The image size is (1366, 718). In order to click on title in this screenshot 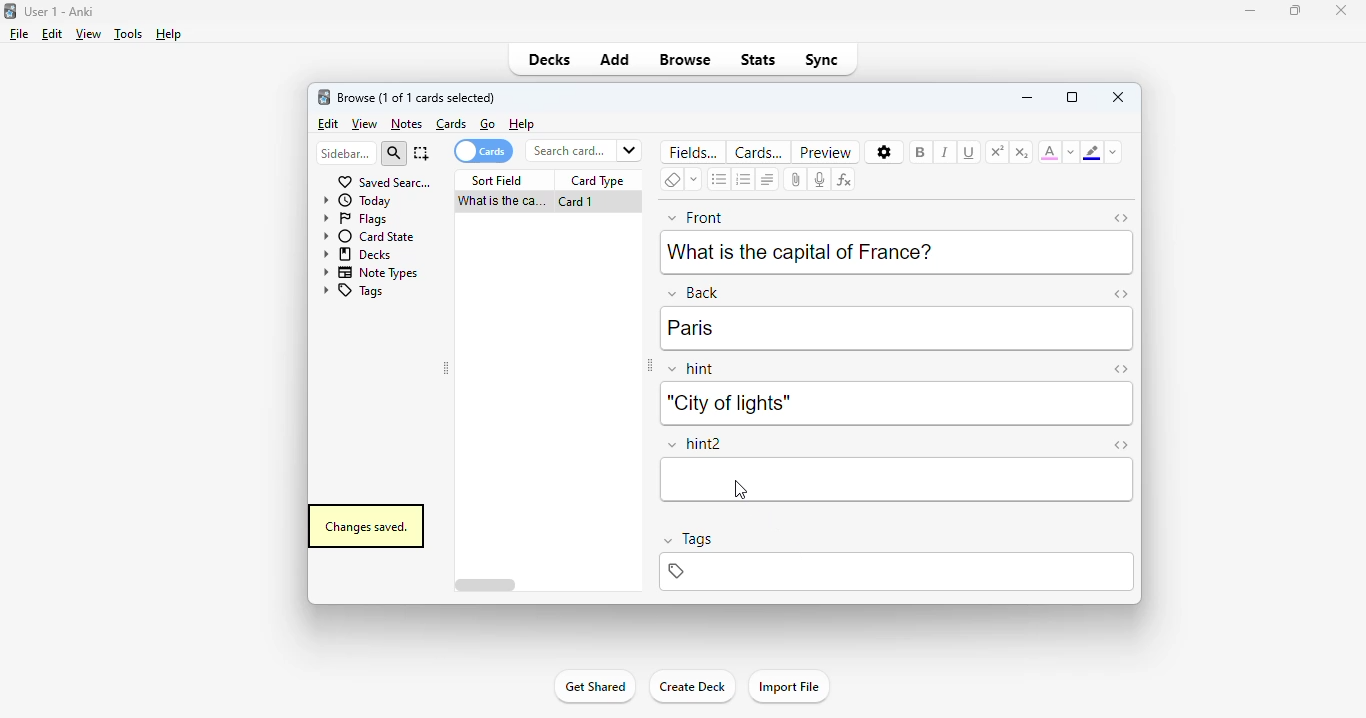, I will do `click(60, 11)`.